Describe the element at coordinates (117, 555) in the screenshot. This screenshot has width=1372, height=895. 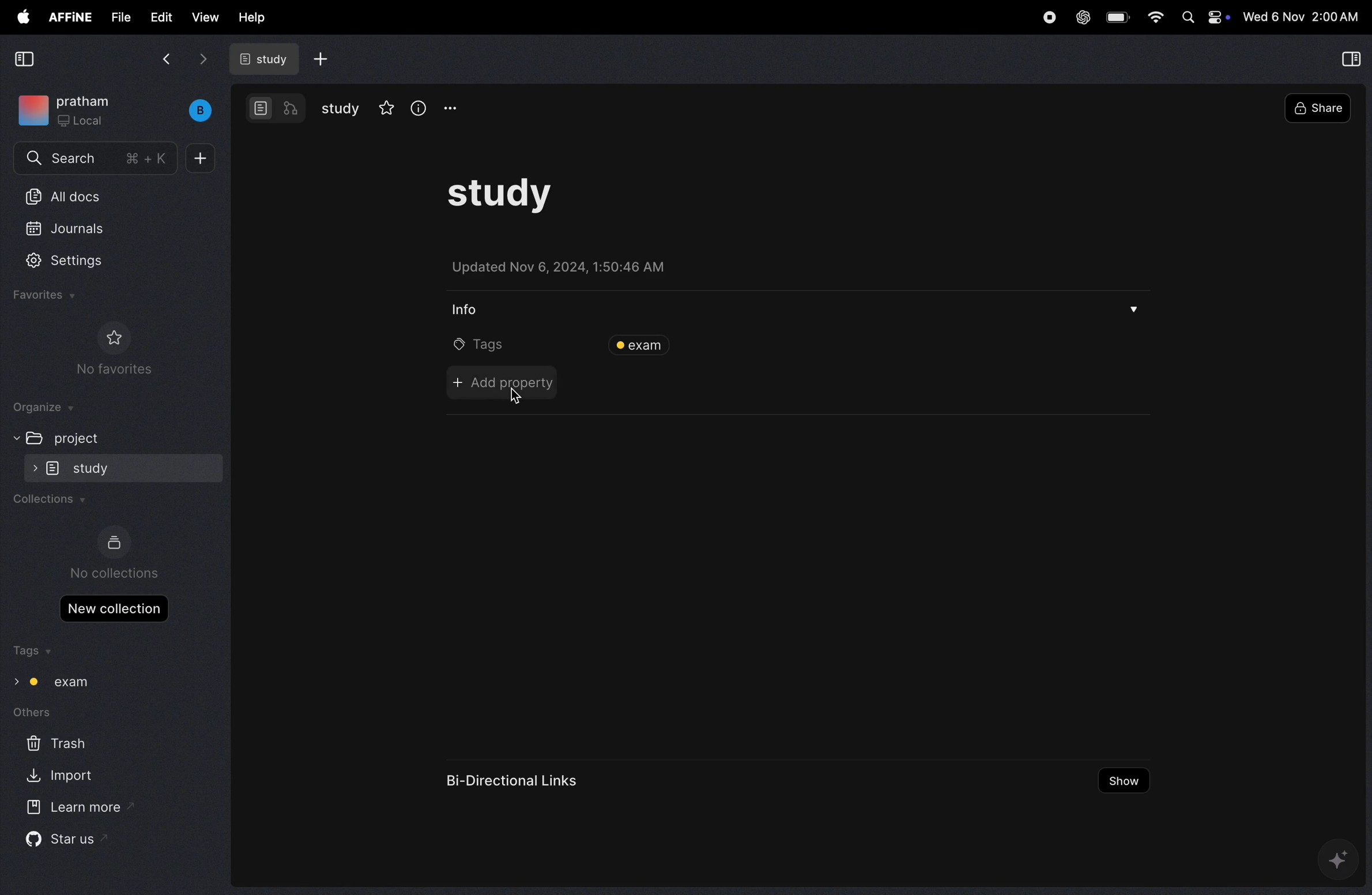
I see `no collections` at that location.